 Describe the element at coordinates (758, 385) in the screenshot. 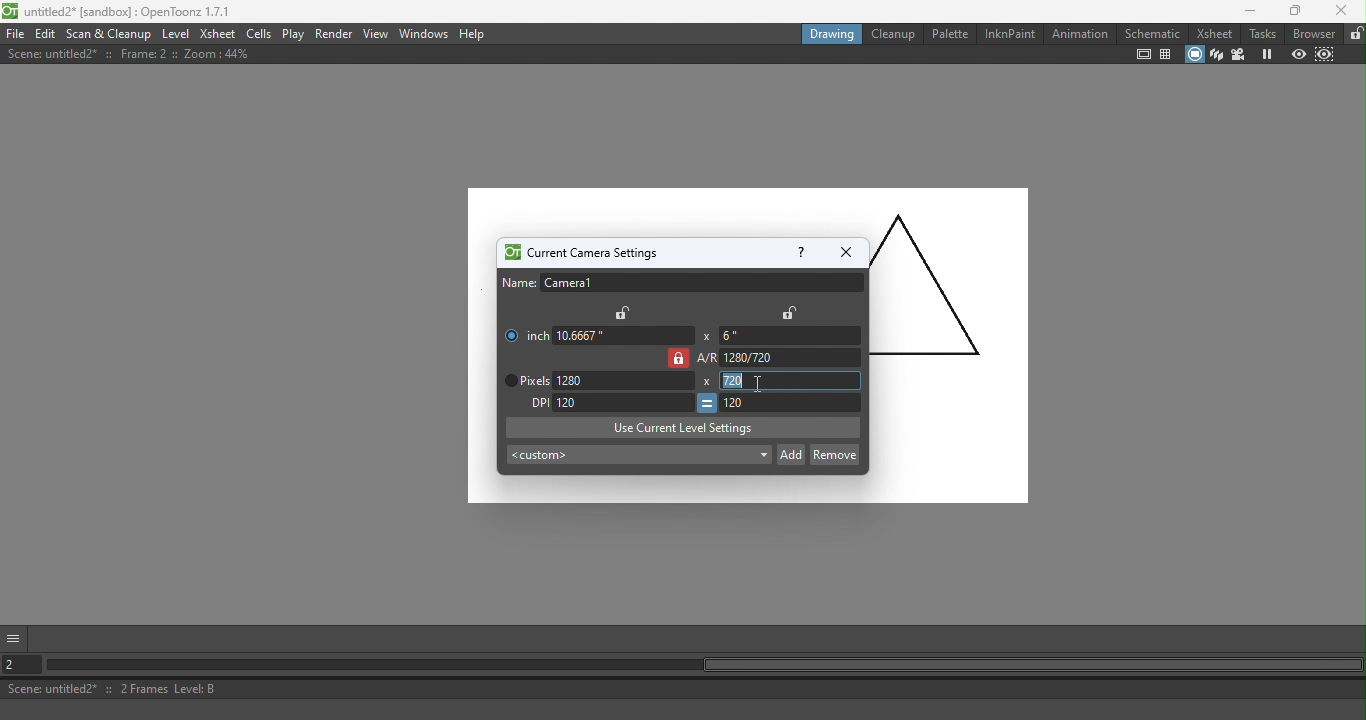

I see `insertion cursor` at that location.